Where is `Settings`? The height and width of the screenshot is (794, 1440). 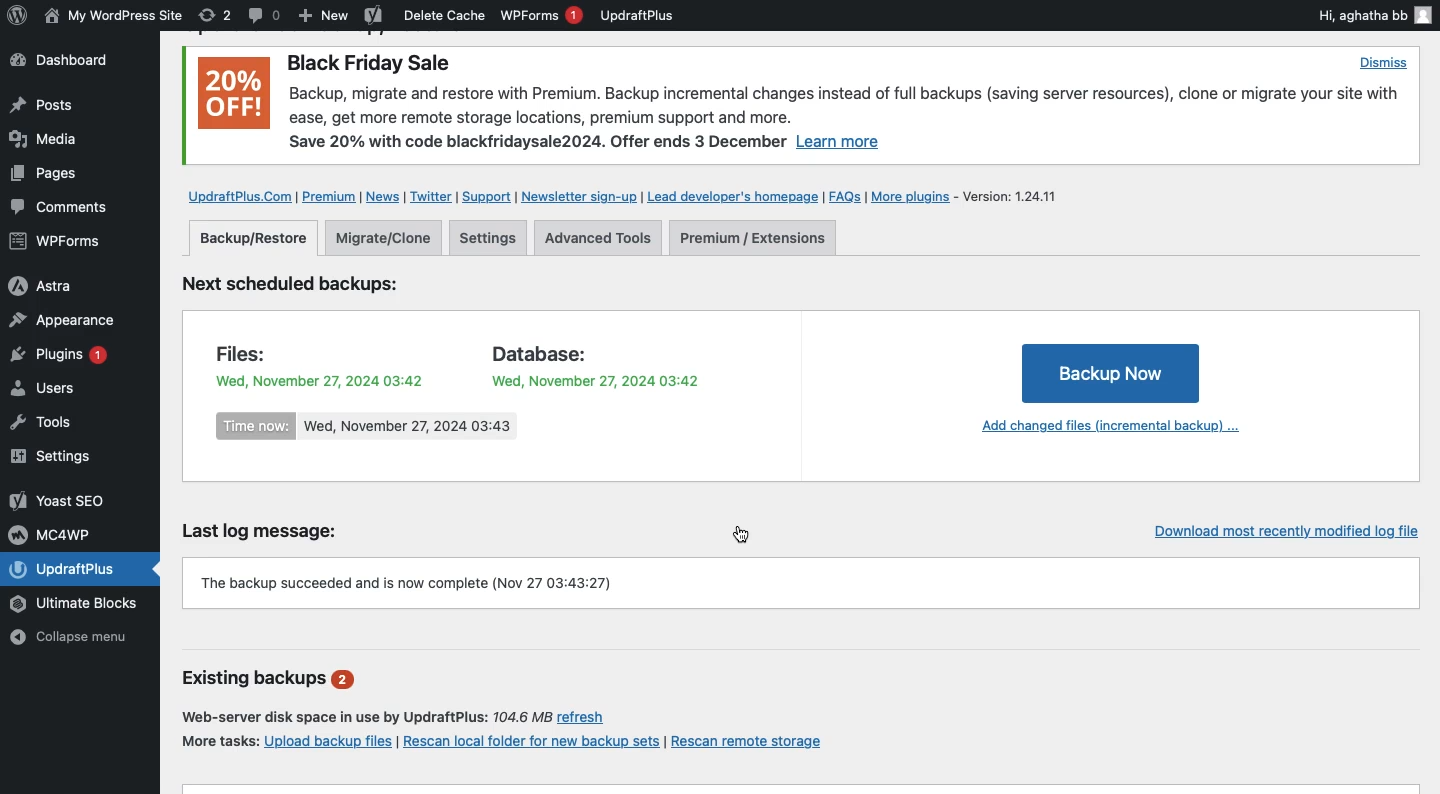
Settings is located at coordinates (490, 237).